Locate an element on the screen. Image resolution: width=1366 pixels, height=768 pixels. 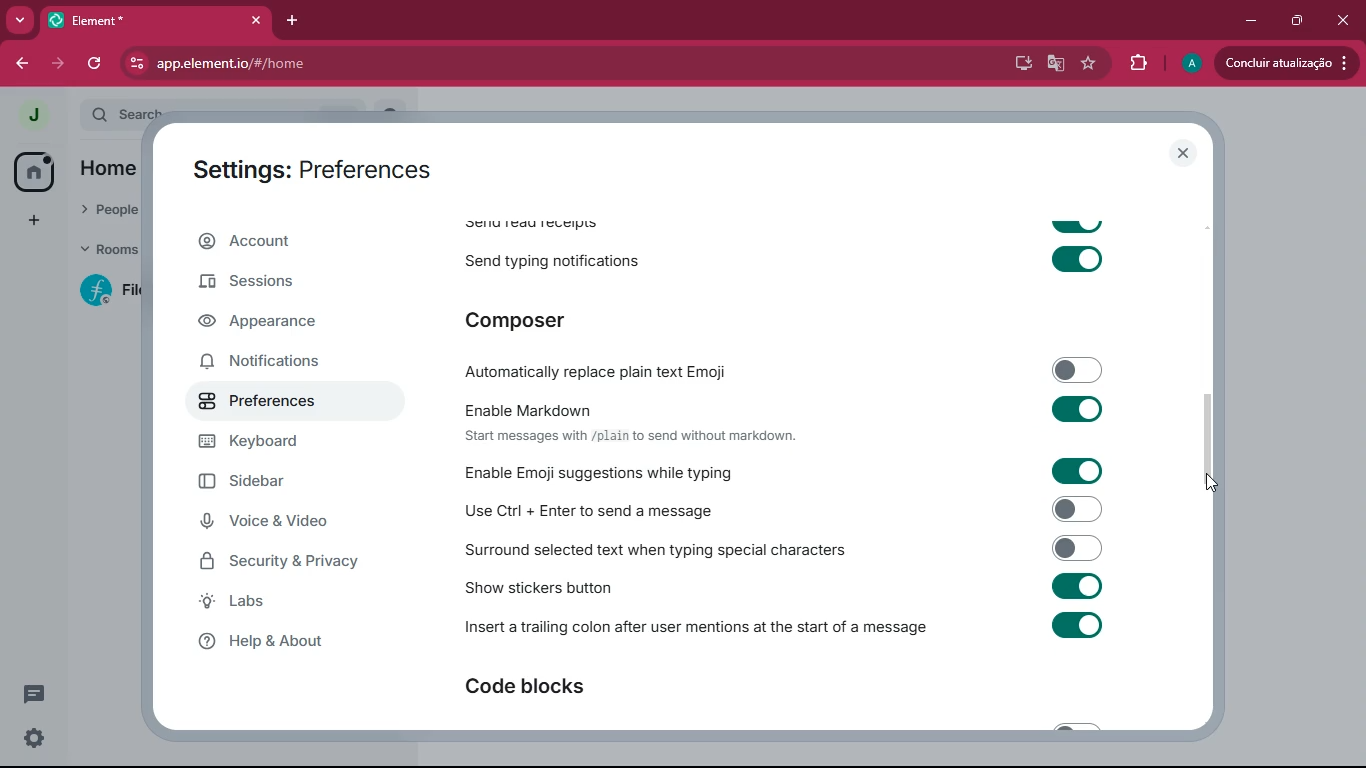
surrond selected is located at coordinates (793, 549).